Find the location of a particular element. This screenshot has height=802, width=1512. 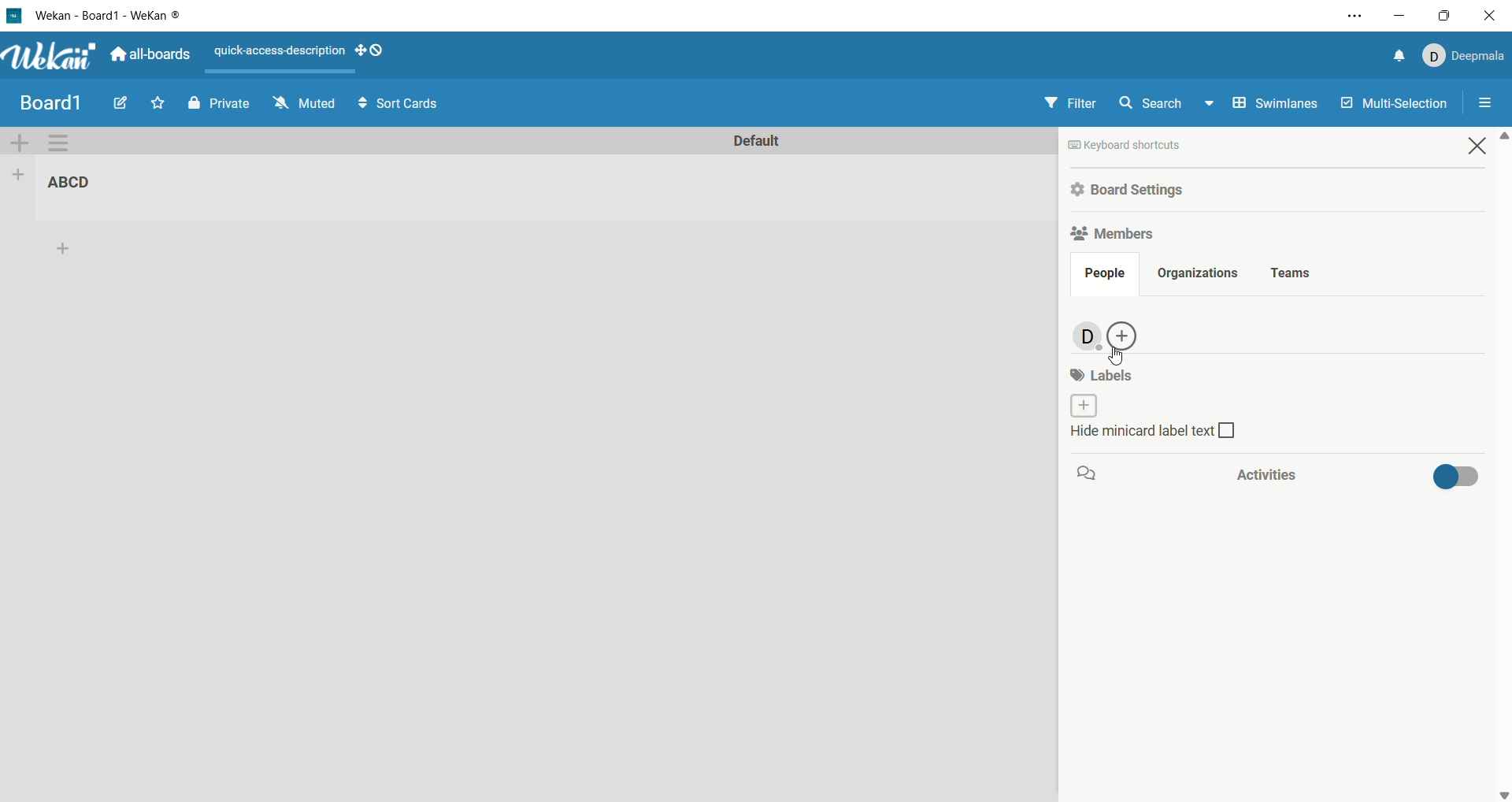

swimlanes is located at coordinates (1277, 105).